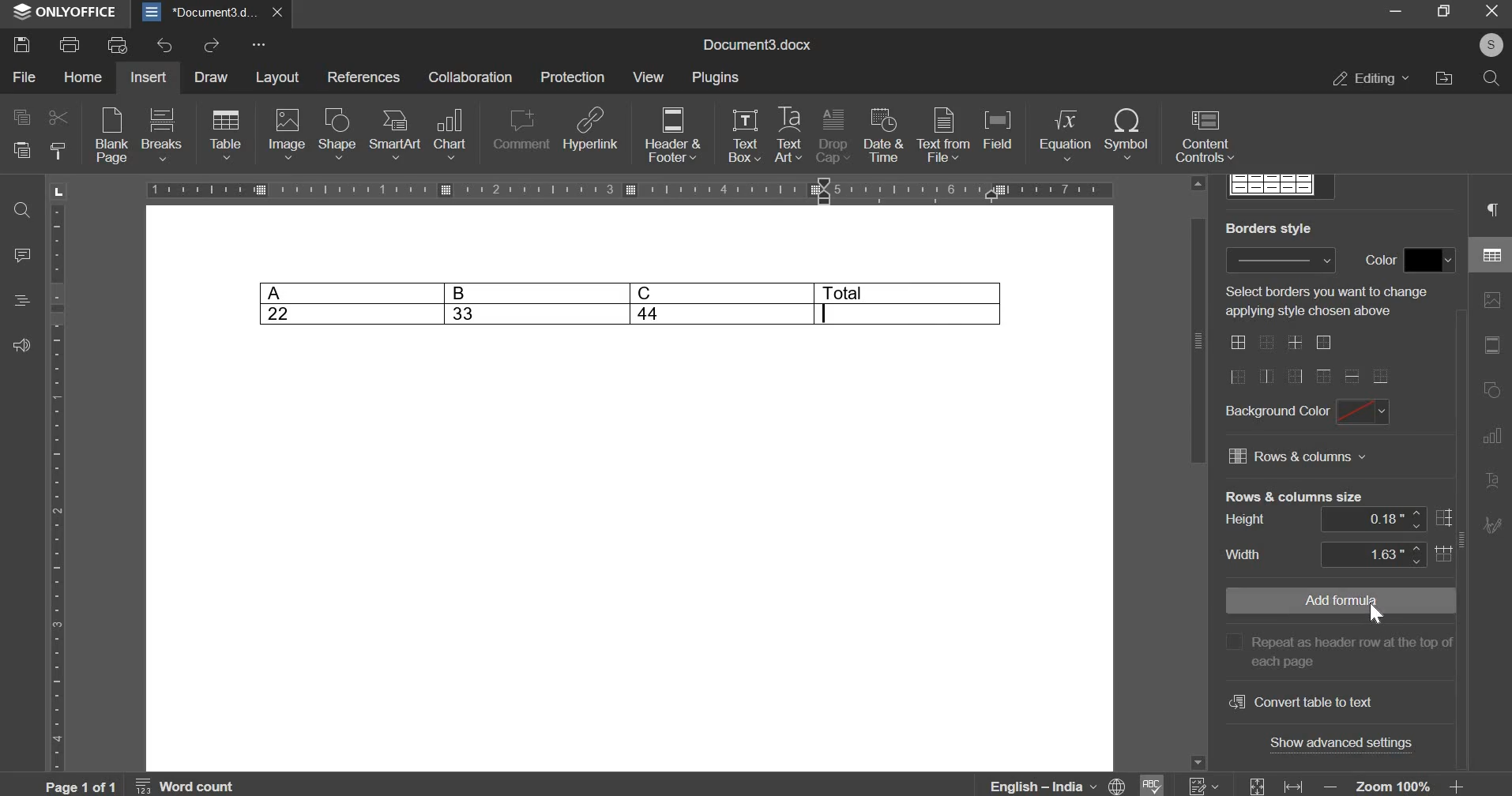 This screenshot has height=796, width=1512. What do you see at coordinates (1394, 13) in the screenshot?
I see `minimize` at bounding box center [1394, 13].